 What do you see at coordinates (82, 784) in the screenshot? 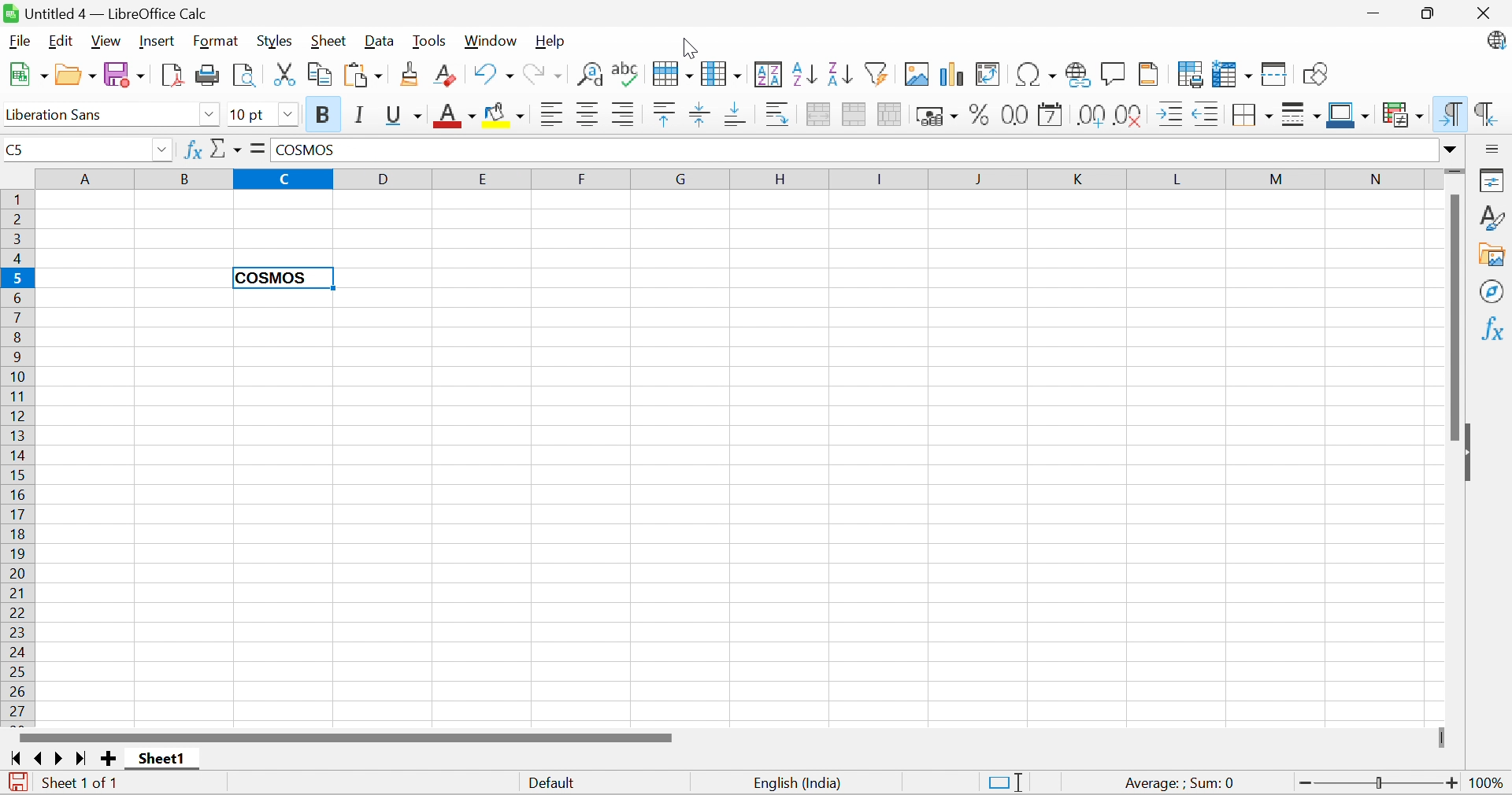
I see `Sheet 1 of 1` at bounding box center [82, 784].